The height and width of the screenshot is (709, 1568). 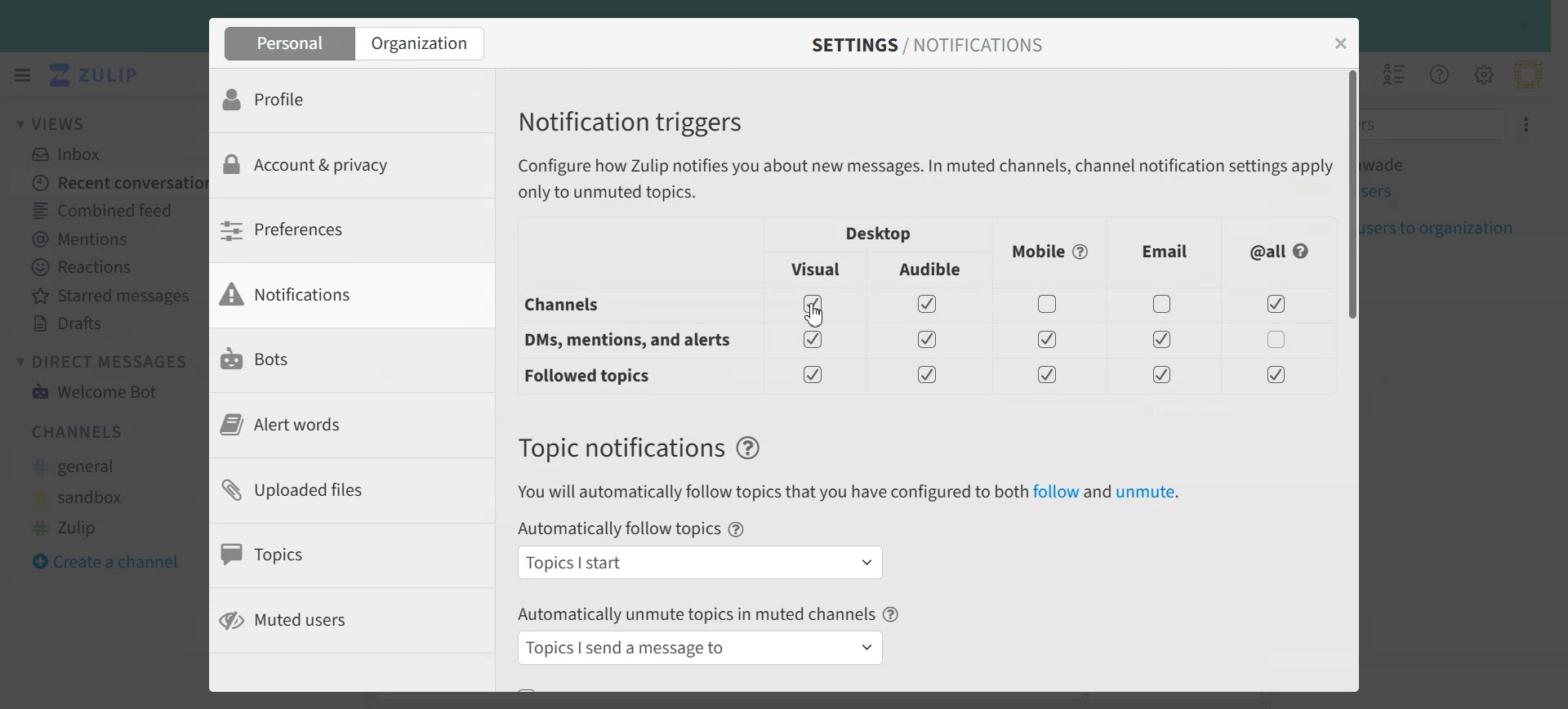 I want to click on Reactions, so click(x=109, y=267).